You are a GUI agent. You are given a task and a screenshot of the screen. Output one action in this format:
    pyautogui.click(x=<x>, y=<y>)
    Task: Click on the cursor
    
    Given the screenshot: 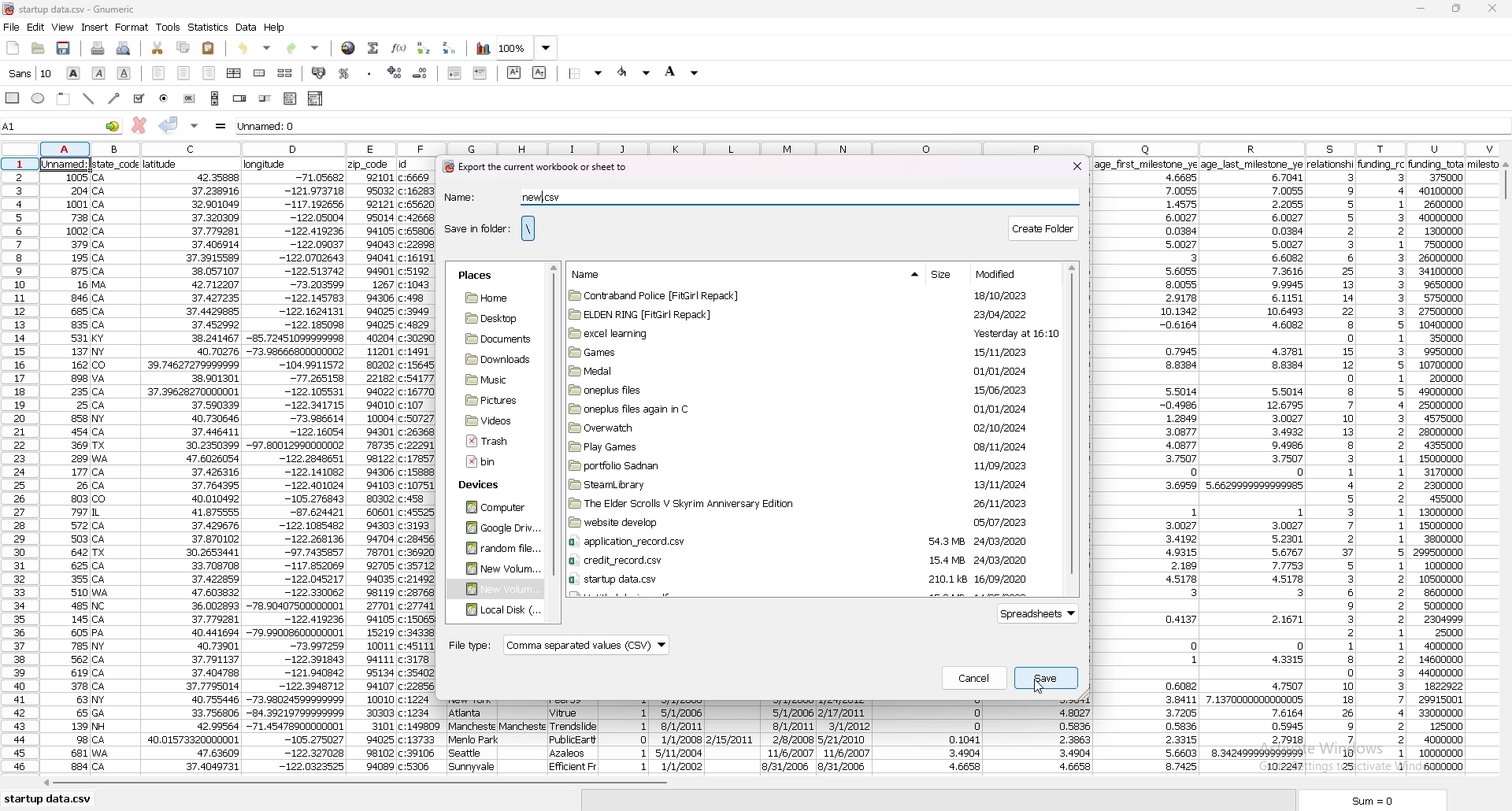 What is the action you would take?
    pyautogui.click(x=1039, y=685)
    